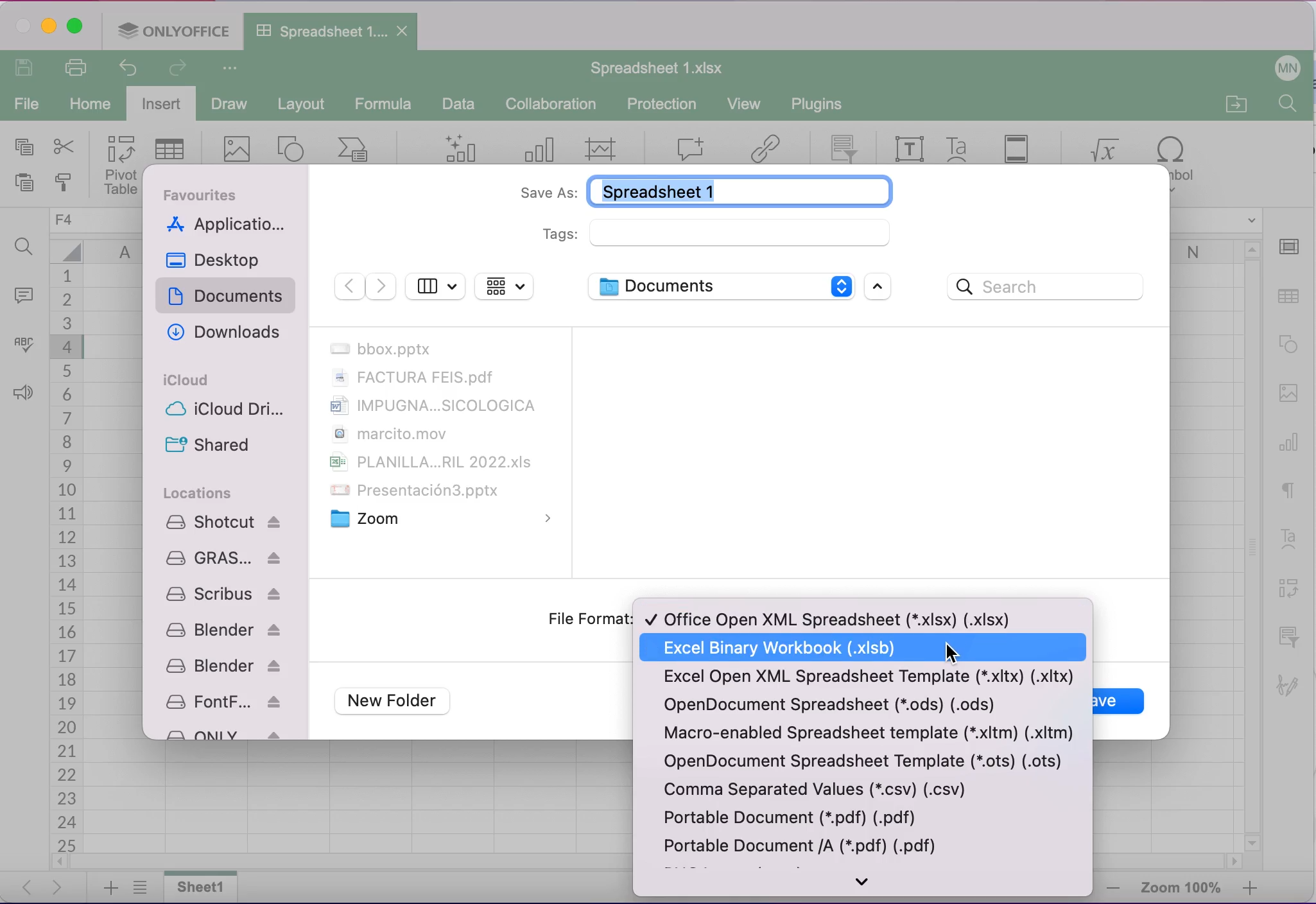  What do you see at coordinates (870, 733) in the screenshot?
I see `macro-enabled spreadsheet template` at bounding box center [870, 733].